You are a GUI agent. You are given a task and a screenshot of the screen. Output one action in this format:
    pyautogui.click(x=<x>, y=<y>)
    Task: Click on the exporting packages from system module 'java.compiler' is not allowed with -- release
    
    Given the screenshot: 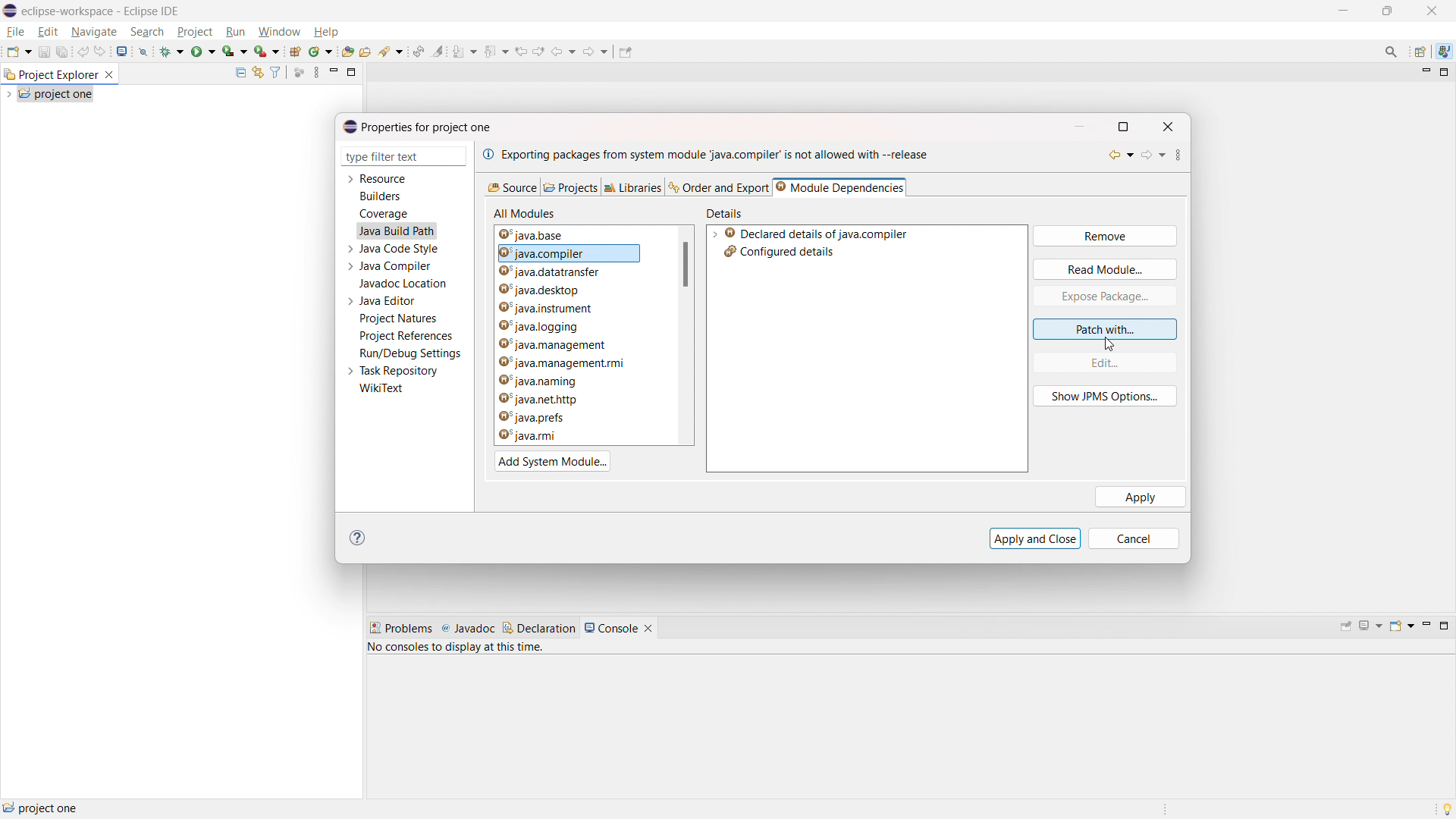 What is the action you would take?
    pyautogui.click(x=709, y=154)
    